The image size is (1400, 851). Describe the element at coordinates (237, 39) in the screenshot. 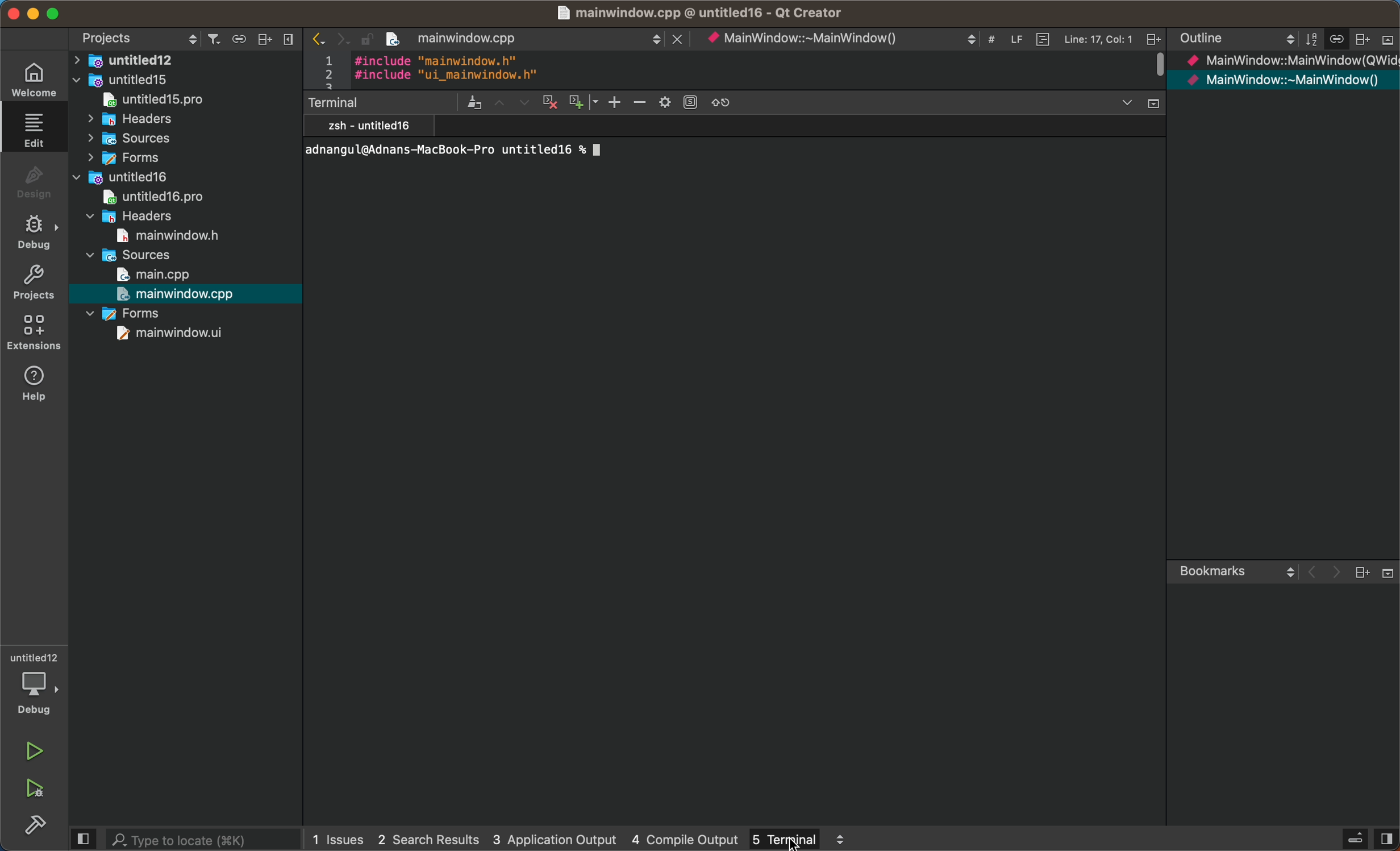

I see `link` at that location.